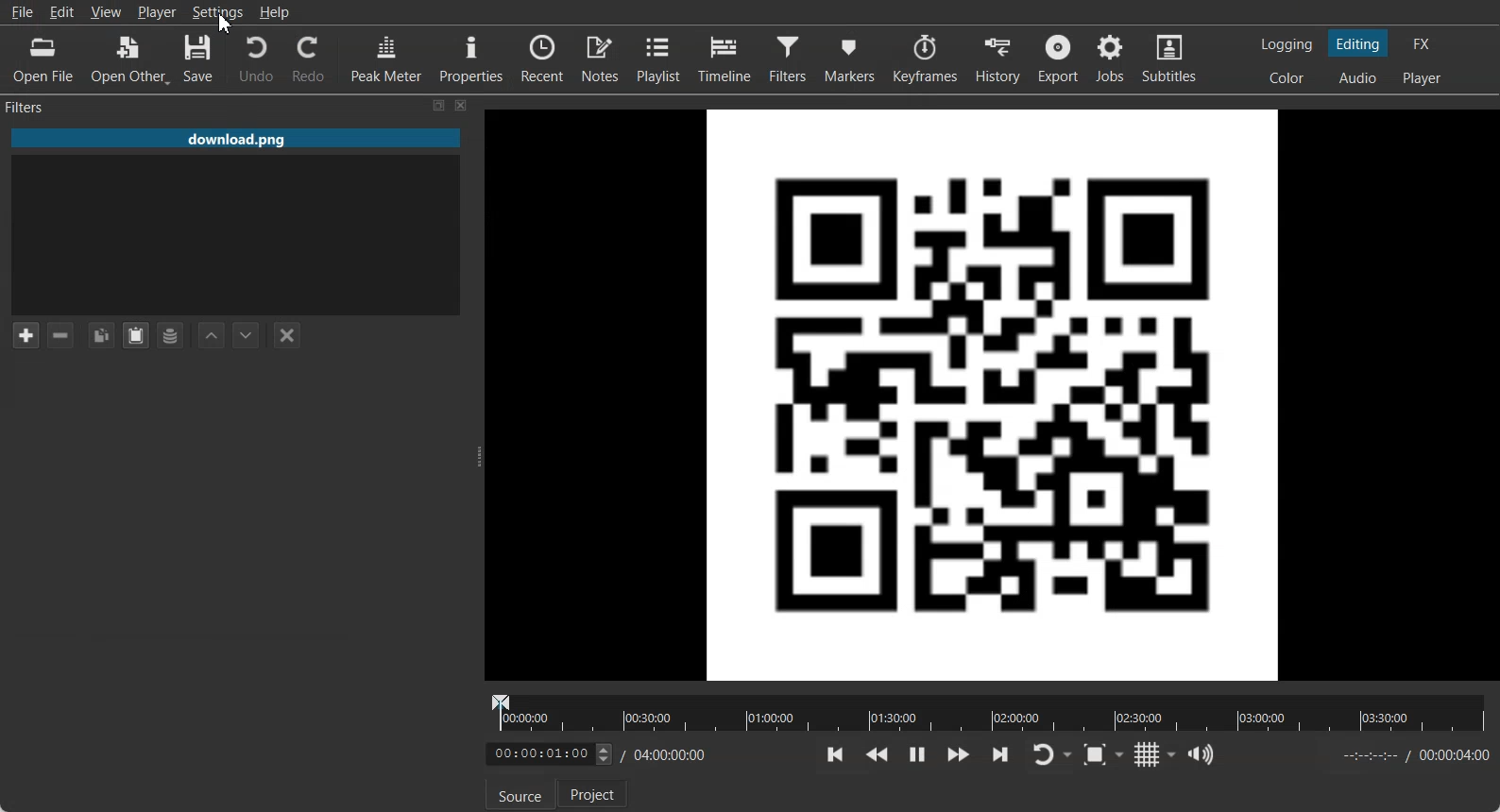  Describe the element at coordinates (100, 335) in the screenshot. I see `Copy Filter` at that location.